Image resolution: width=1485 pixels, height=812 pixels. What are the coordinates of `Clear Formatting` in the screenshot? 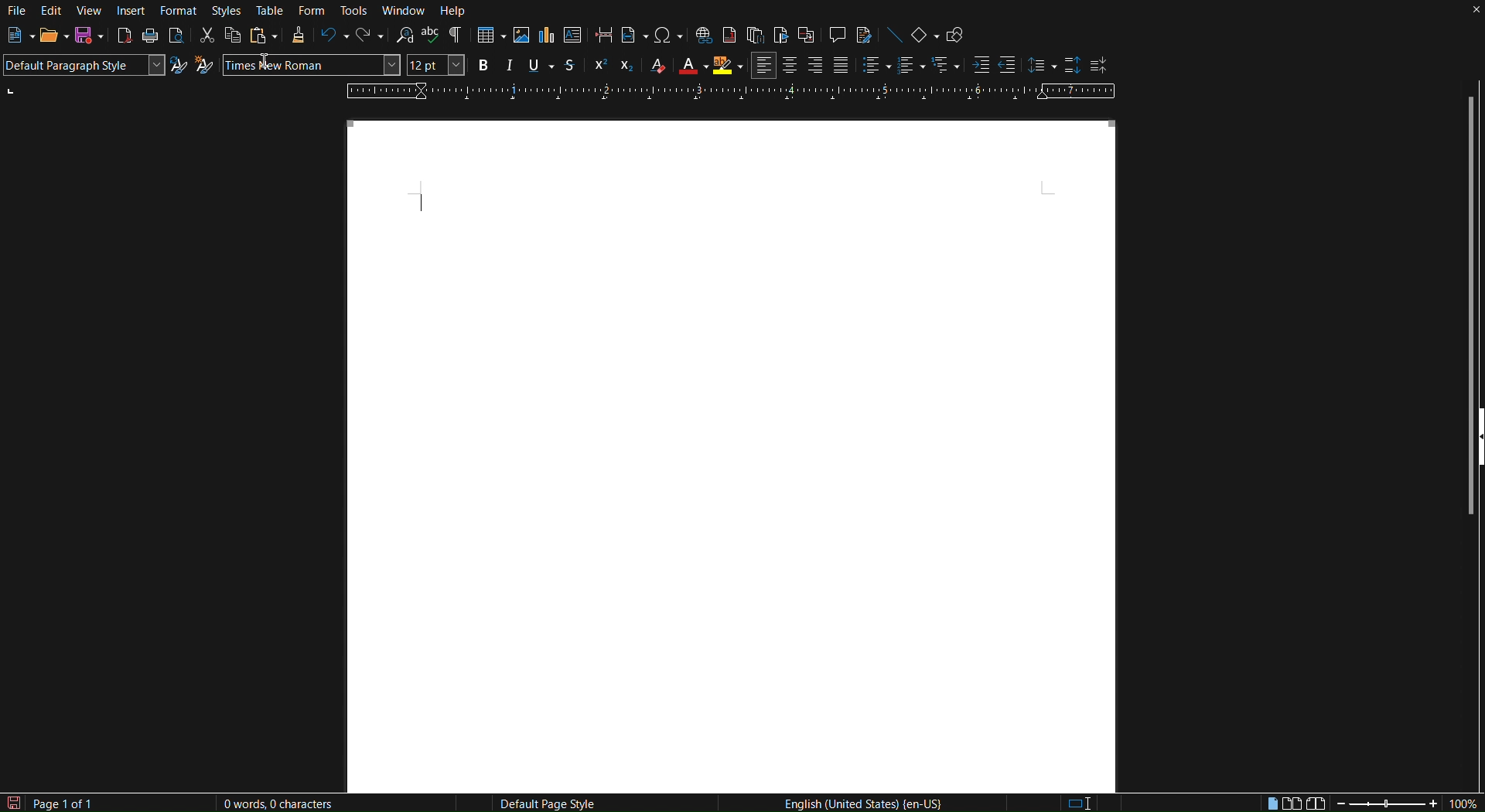 It's located at (660, 65).